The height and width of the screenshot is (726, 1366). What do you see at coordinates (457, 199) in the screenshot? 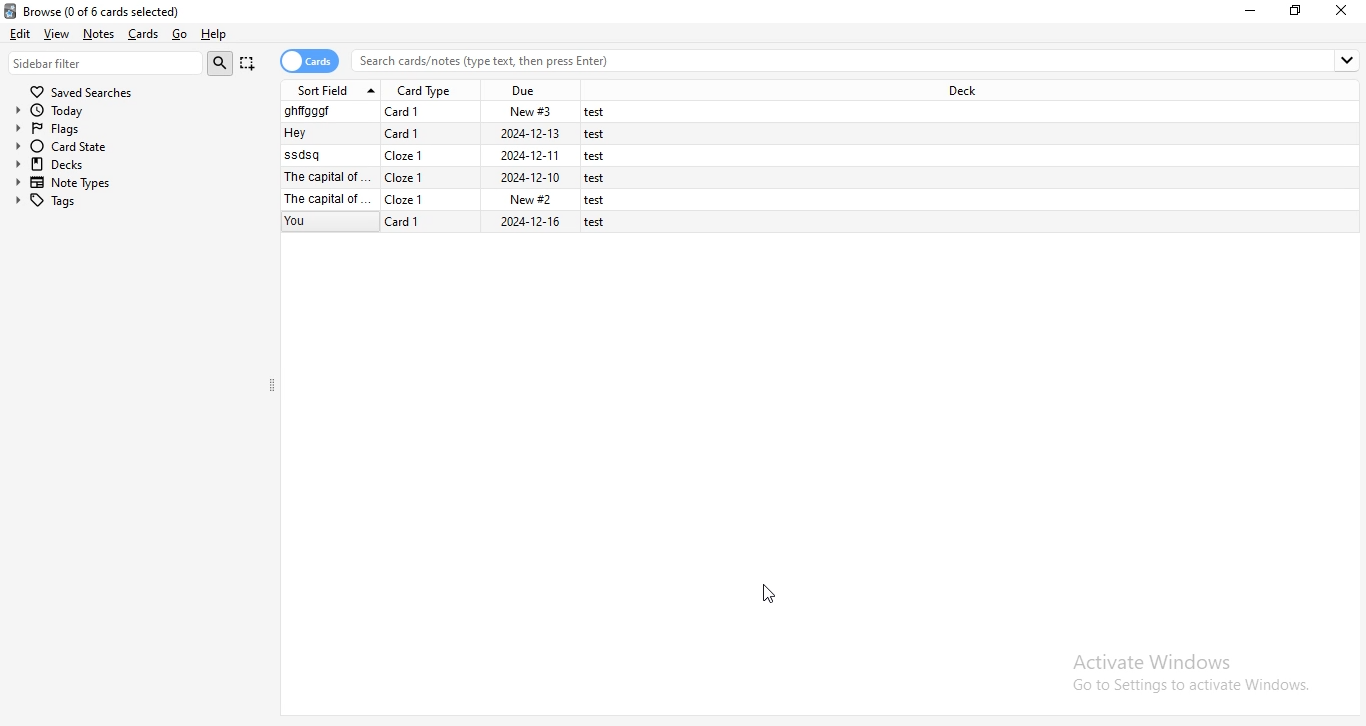
I see `File` at bounding box center [457, 199].